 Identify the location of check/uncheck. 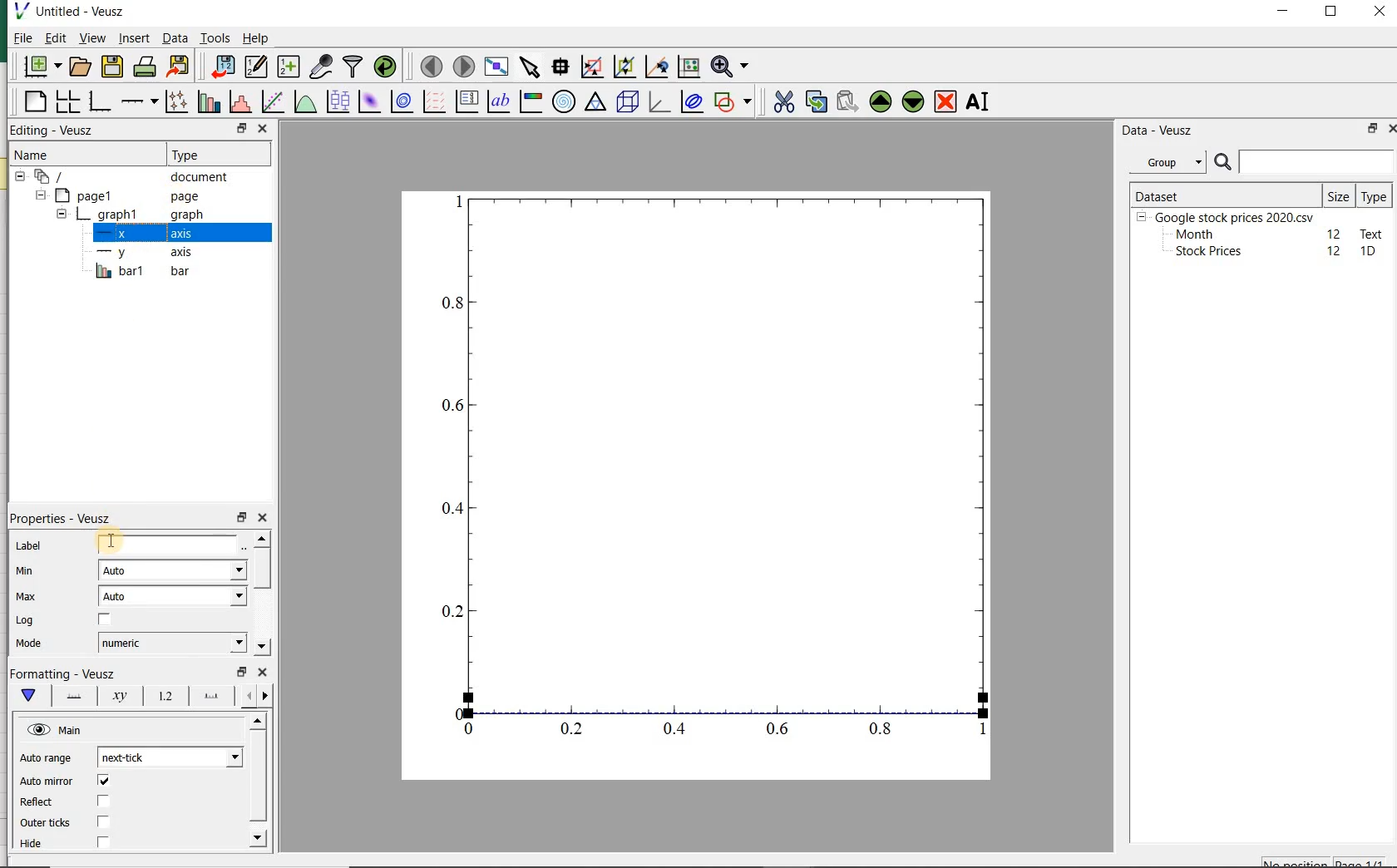
(103, 821).